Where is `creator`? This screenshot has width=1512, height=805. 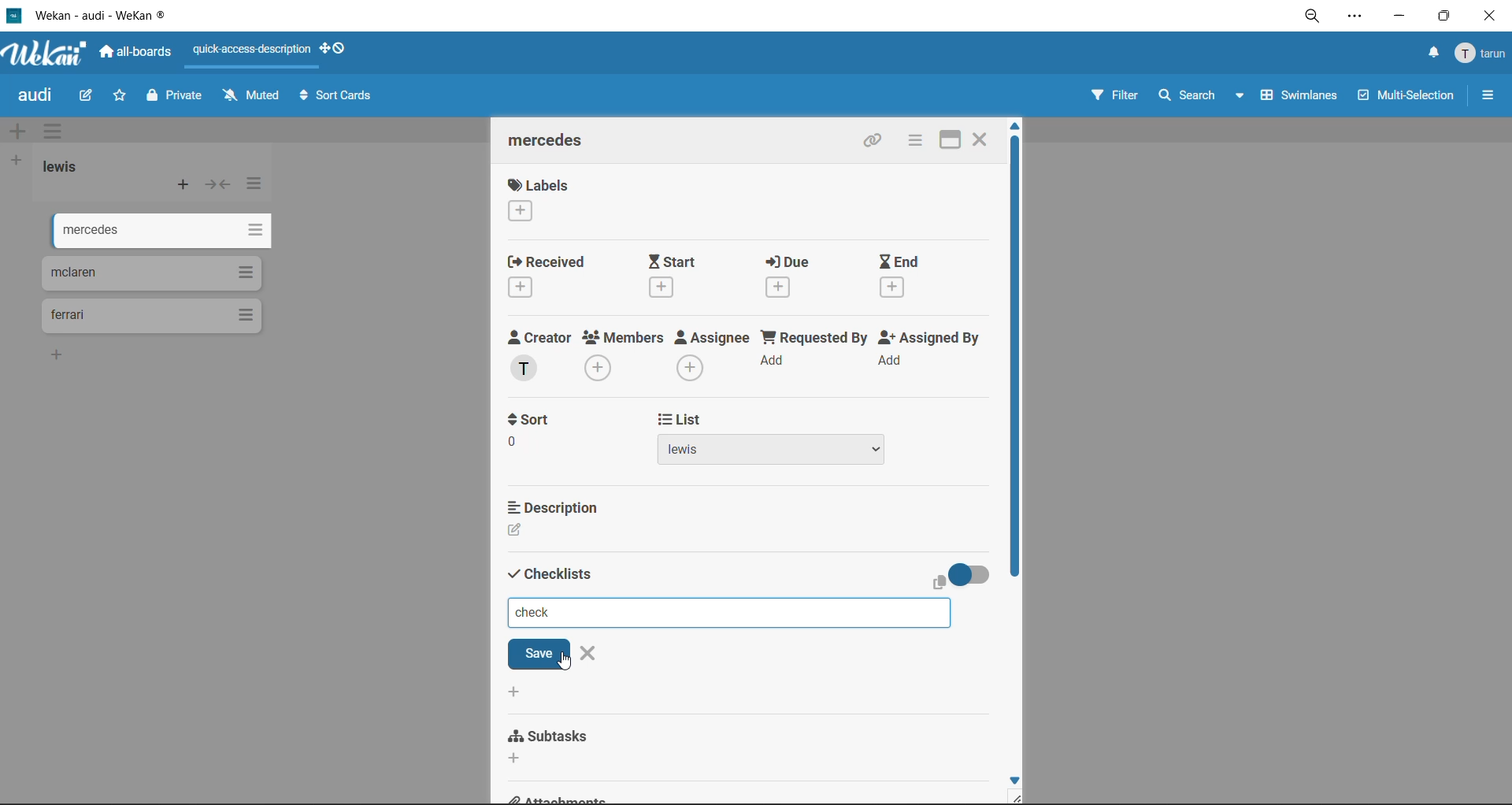 creator is located at coordinates (539, 356).